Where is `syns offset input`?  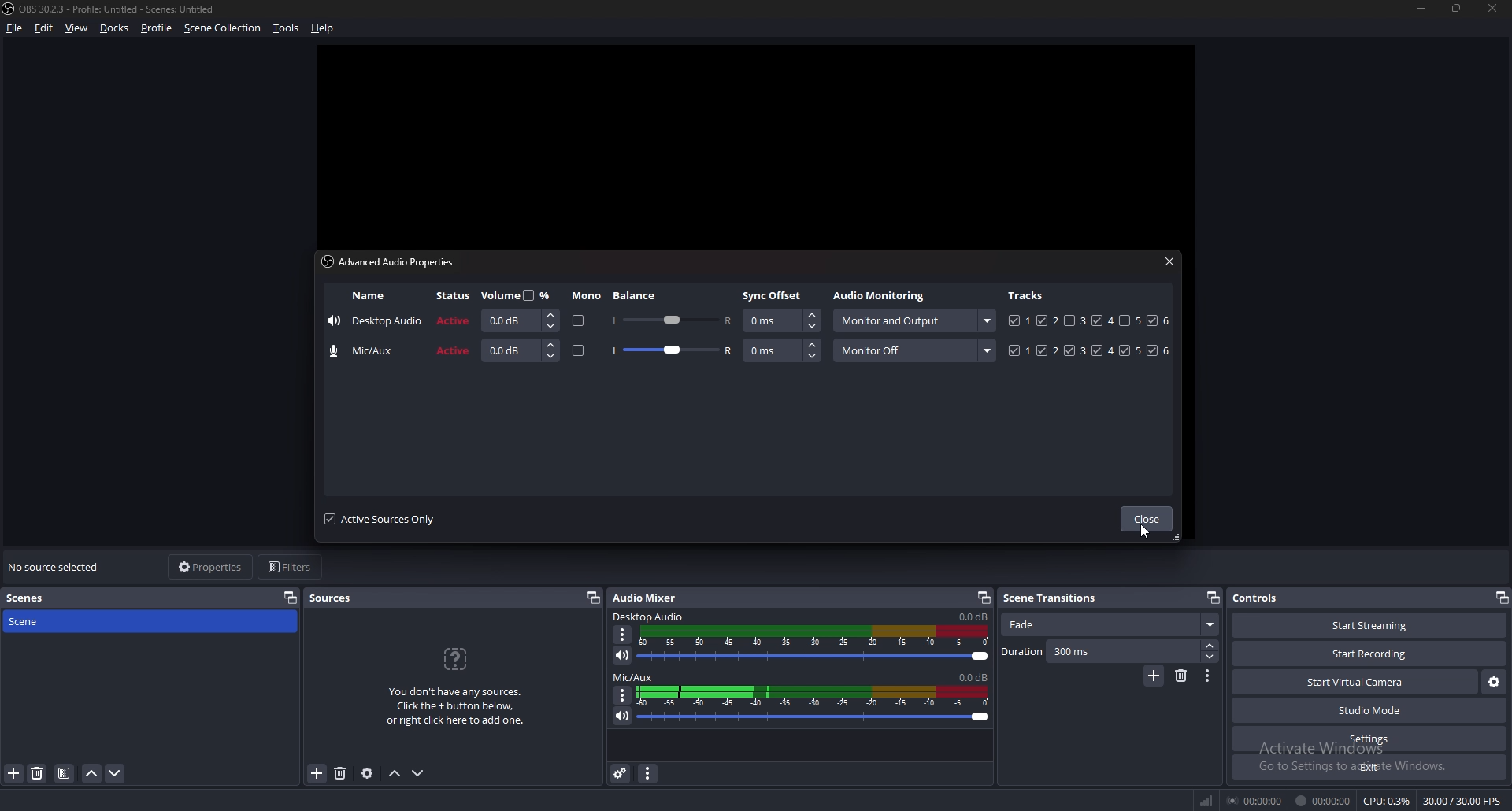 syns offset input is located at coordinates (783, 350).